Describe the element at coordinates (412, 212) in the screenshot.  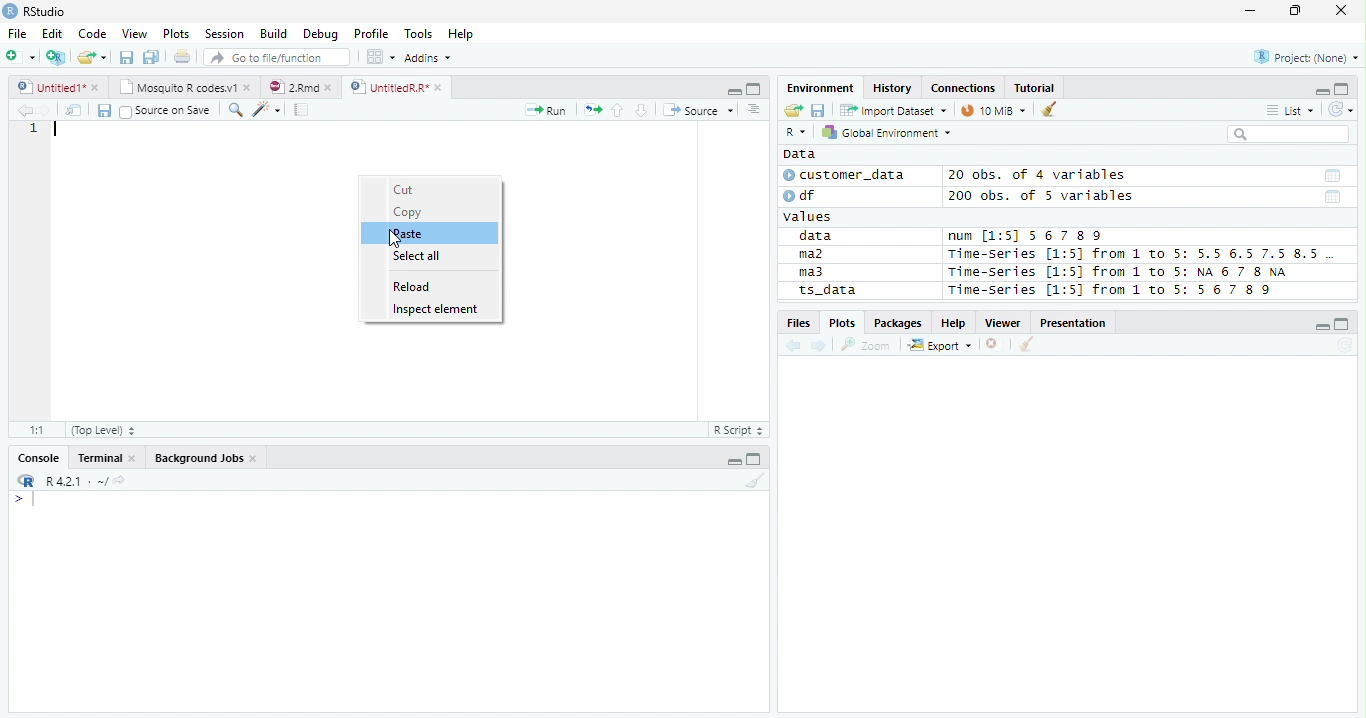
I see `Copy` at that location.